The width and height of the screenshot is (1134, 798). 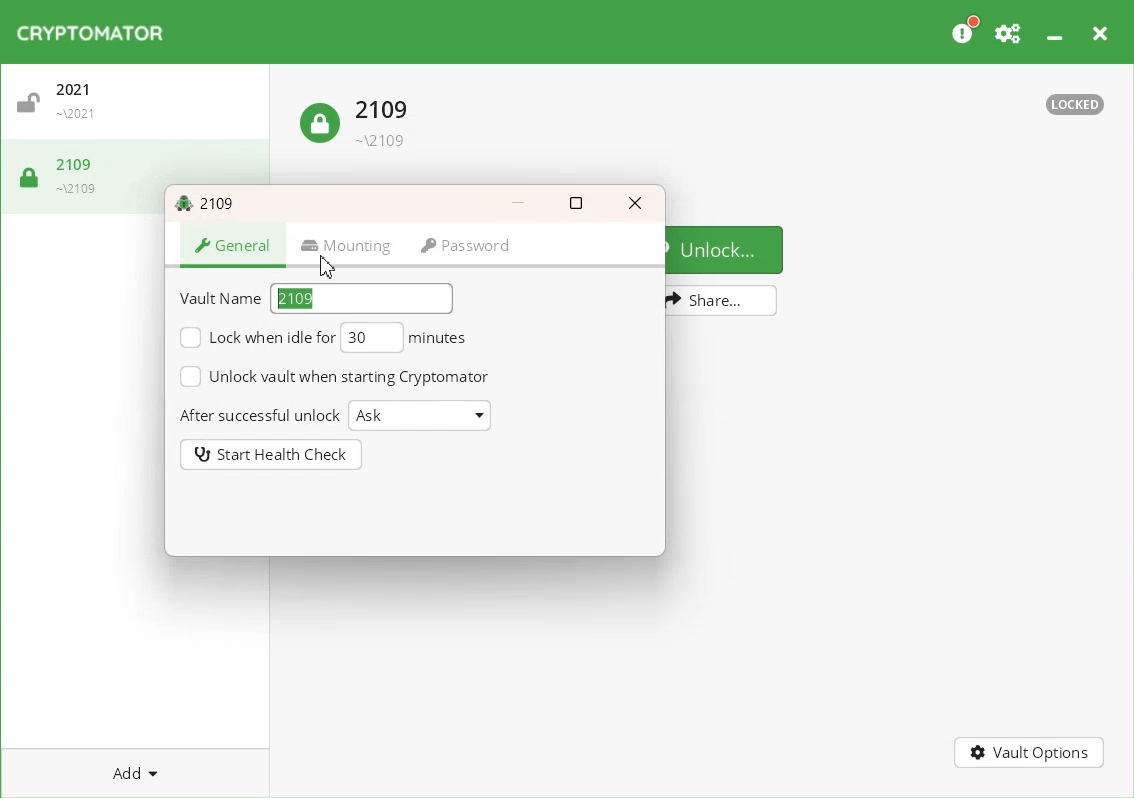 I want to click on Unlock, so click(x=727, y=248).